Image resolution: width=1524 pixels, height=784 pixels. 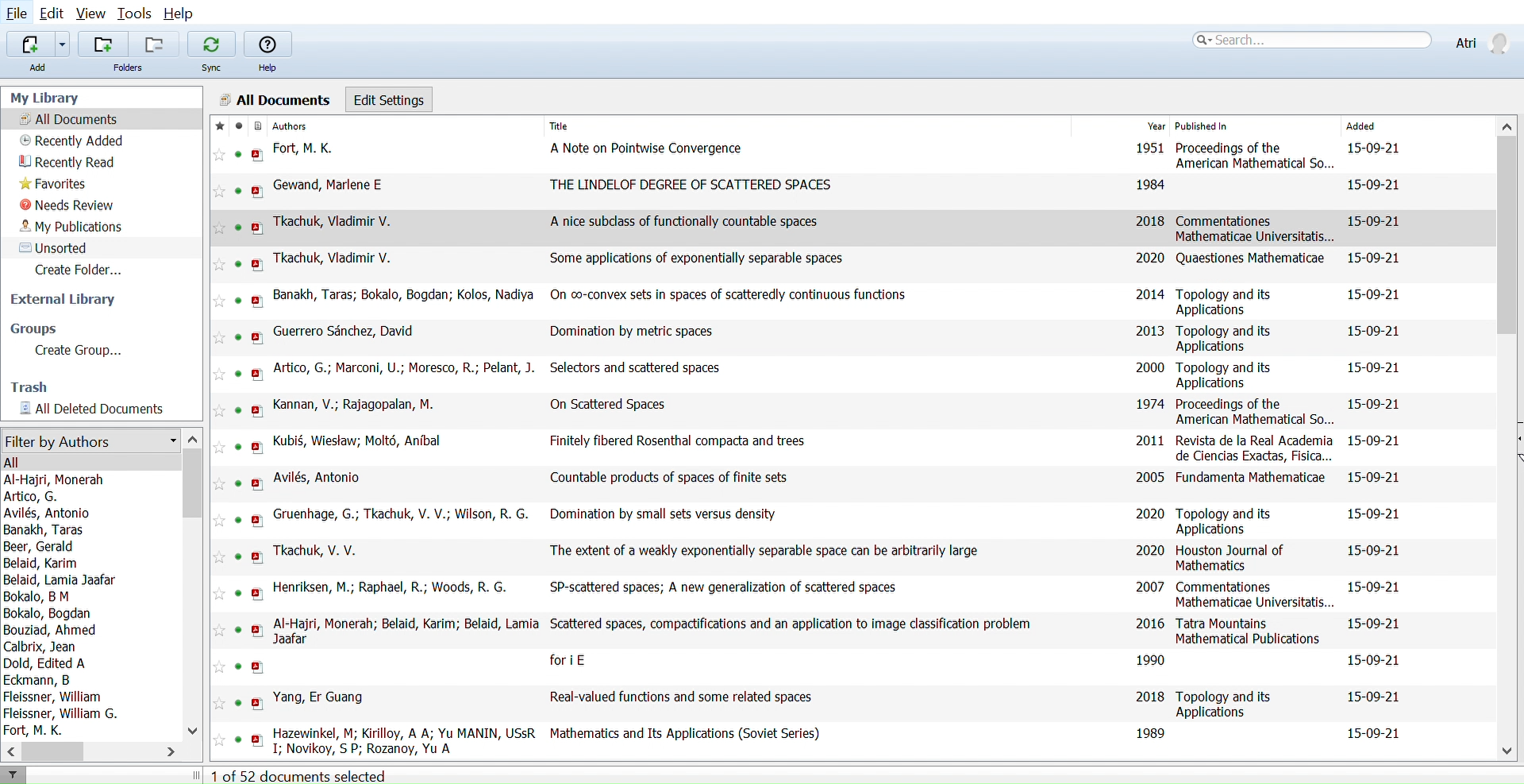 What do you see at coordinates (17, 14) in the screenshot?
I see `File` at bounding box center [17, 14].